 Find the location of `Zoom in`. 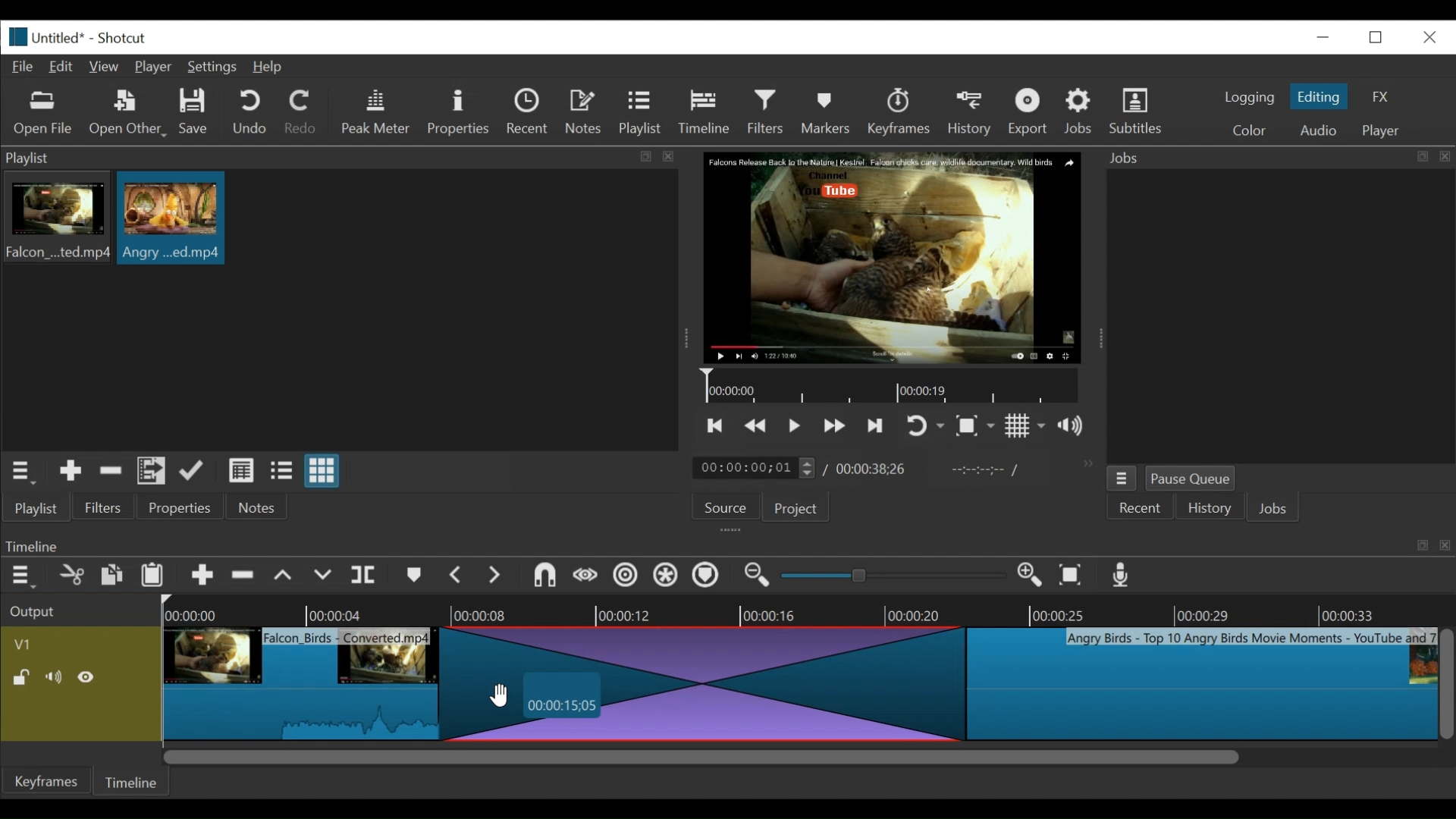

Zoom in is located at coordinates (1032, 576).